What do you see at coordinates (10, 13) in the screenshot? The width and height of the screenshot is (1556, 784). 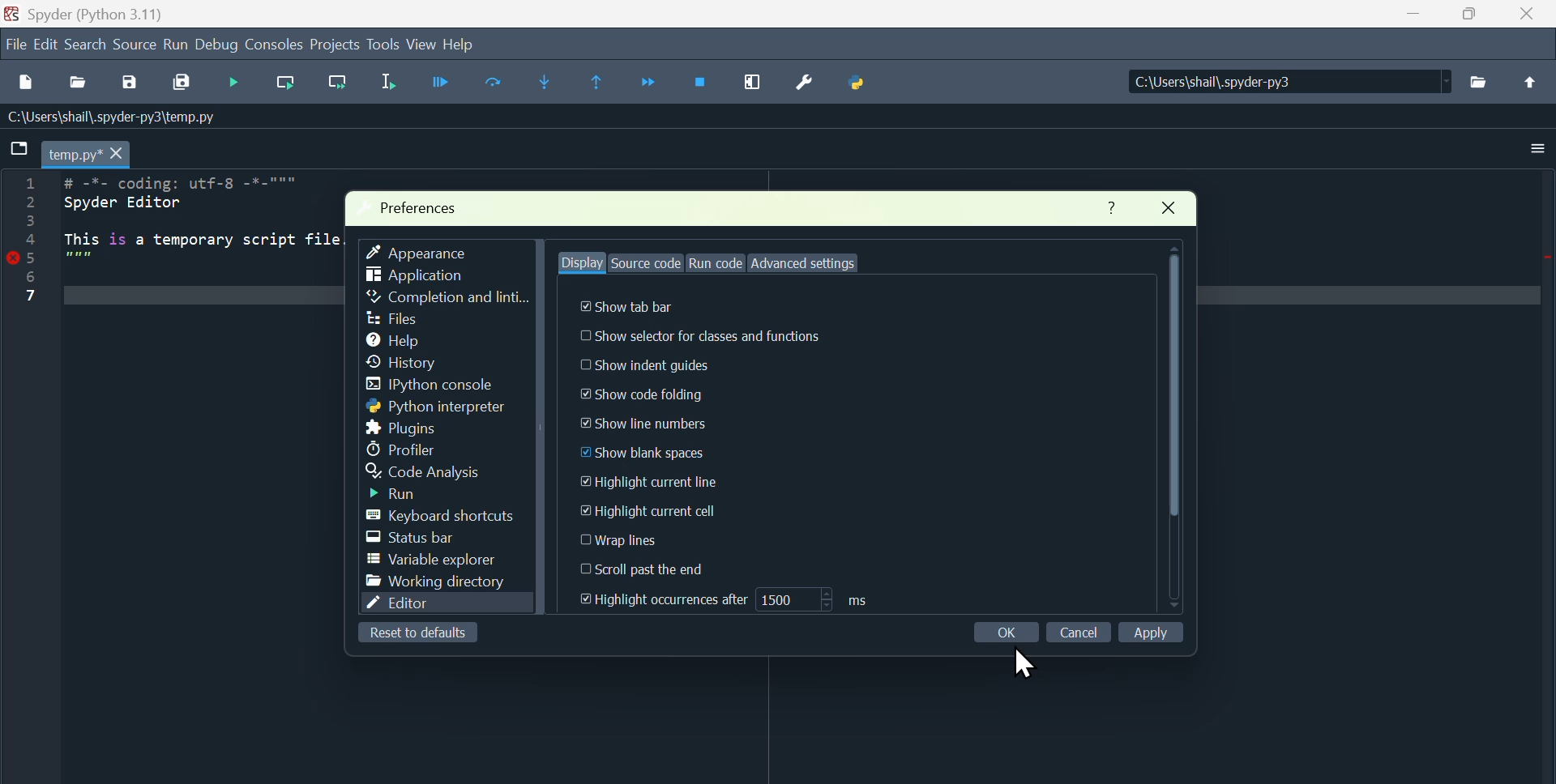 I see `Spyder logo` at bounding box center [10, 13].